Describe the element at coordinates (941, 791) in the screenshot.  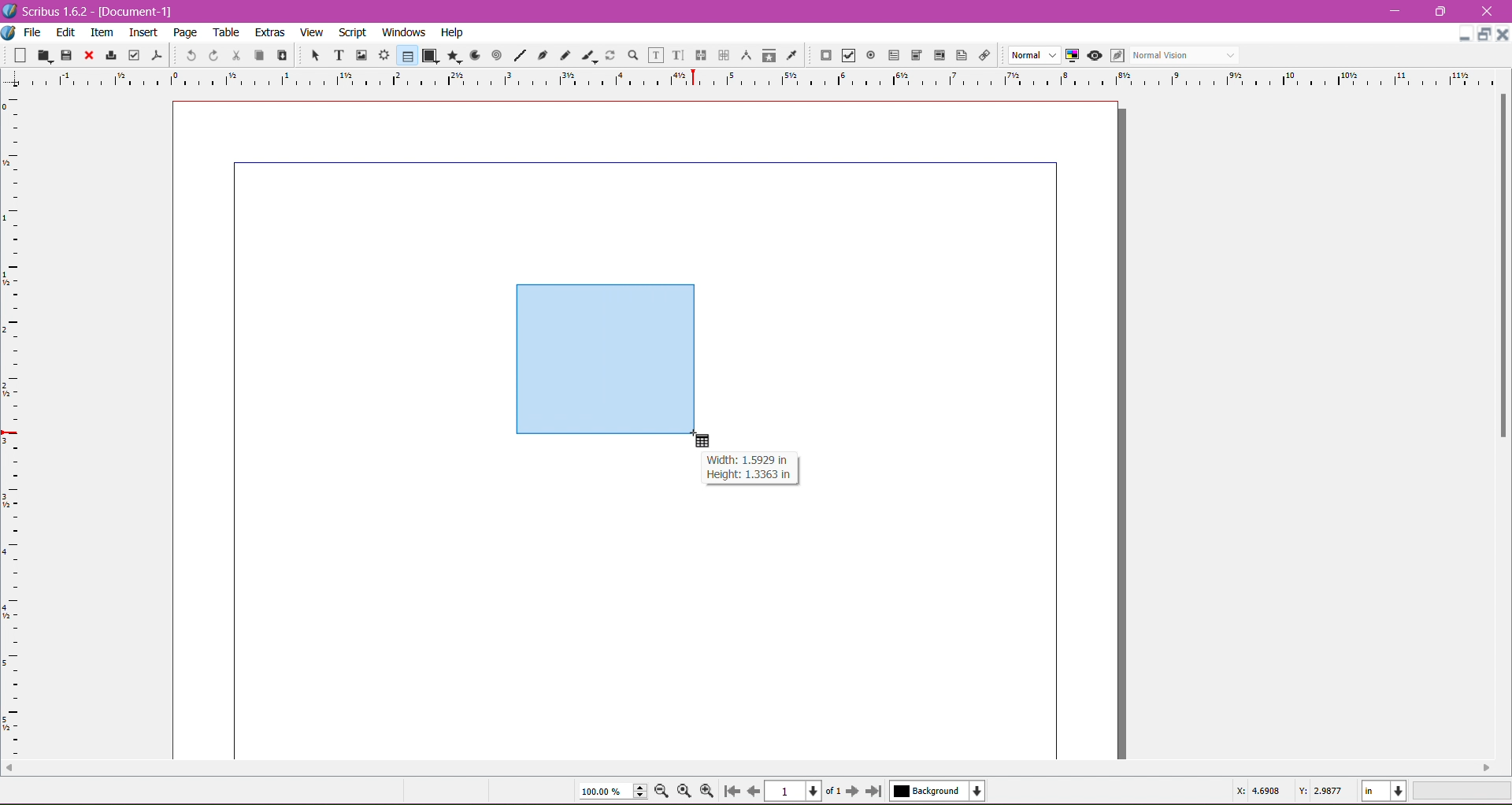
I see `Background` at that location.